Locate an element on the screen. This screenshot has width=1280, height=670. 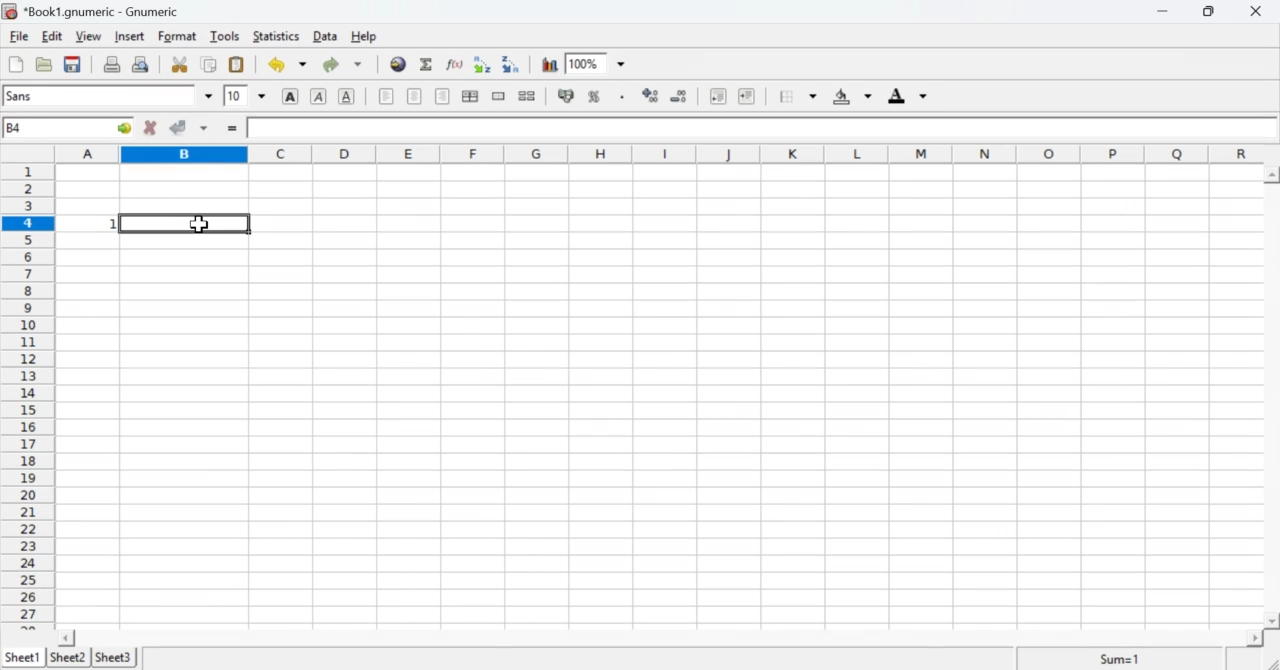
scroll up is located at coordinates (1271, 174).